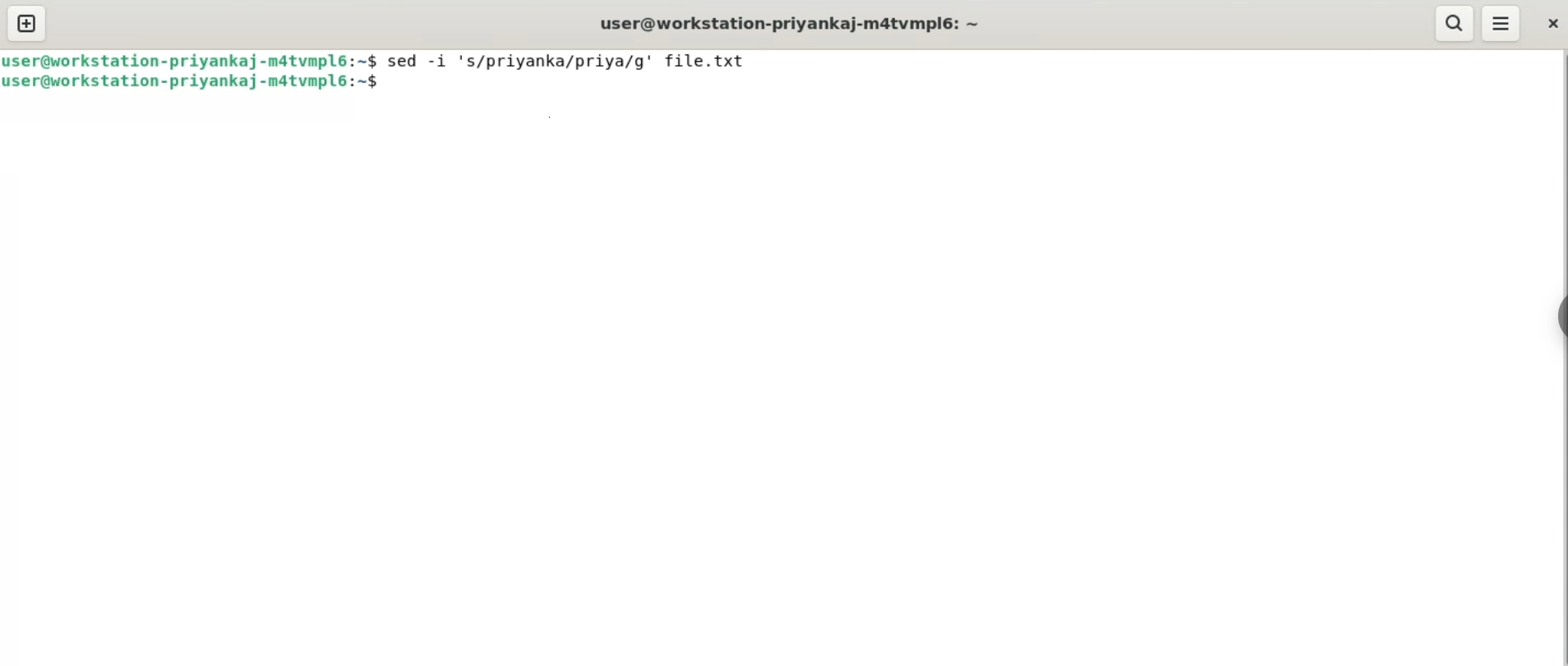 The height and width of the screenshot is (666, 1568). Describe the element at coordinates (191, 60) in the screenshot. I see `user@workstation-priyankaj-matvmpl6:~$ ` at that location.